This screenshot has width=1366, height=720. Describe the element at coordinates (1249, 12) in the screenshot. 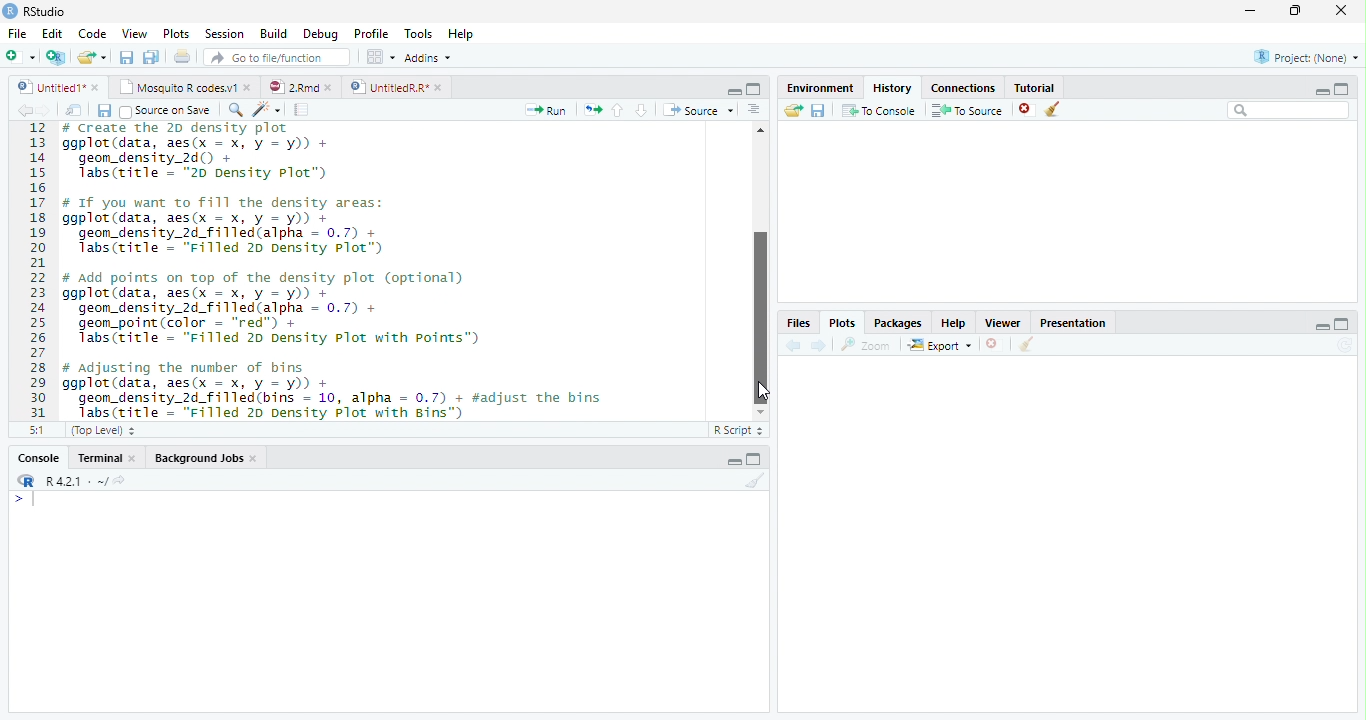

I see `minimize` at that location.